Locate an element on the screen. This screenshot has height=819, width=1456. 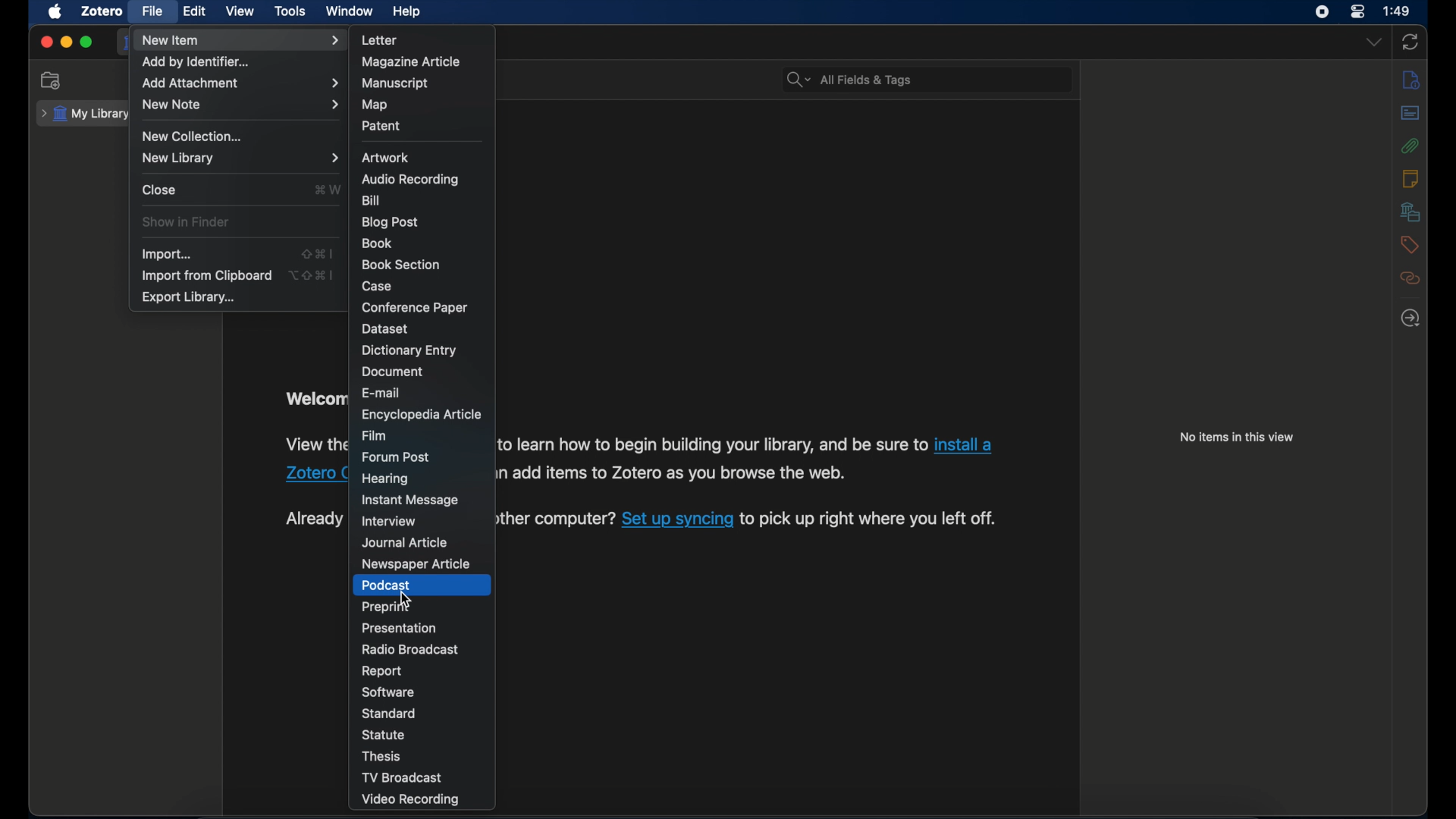
case is located at coordinates (378, 286).